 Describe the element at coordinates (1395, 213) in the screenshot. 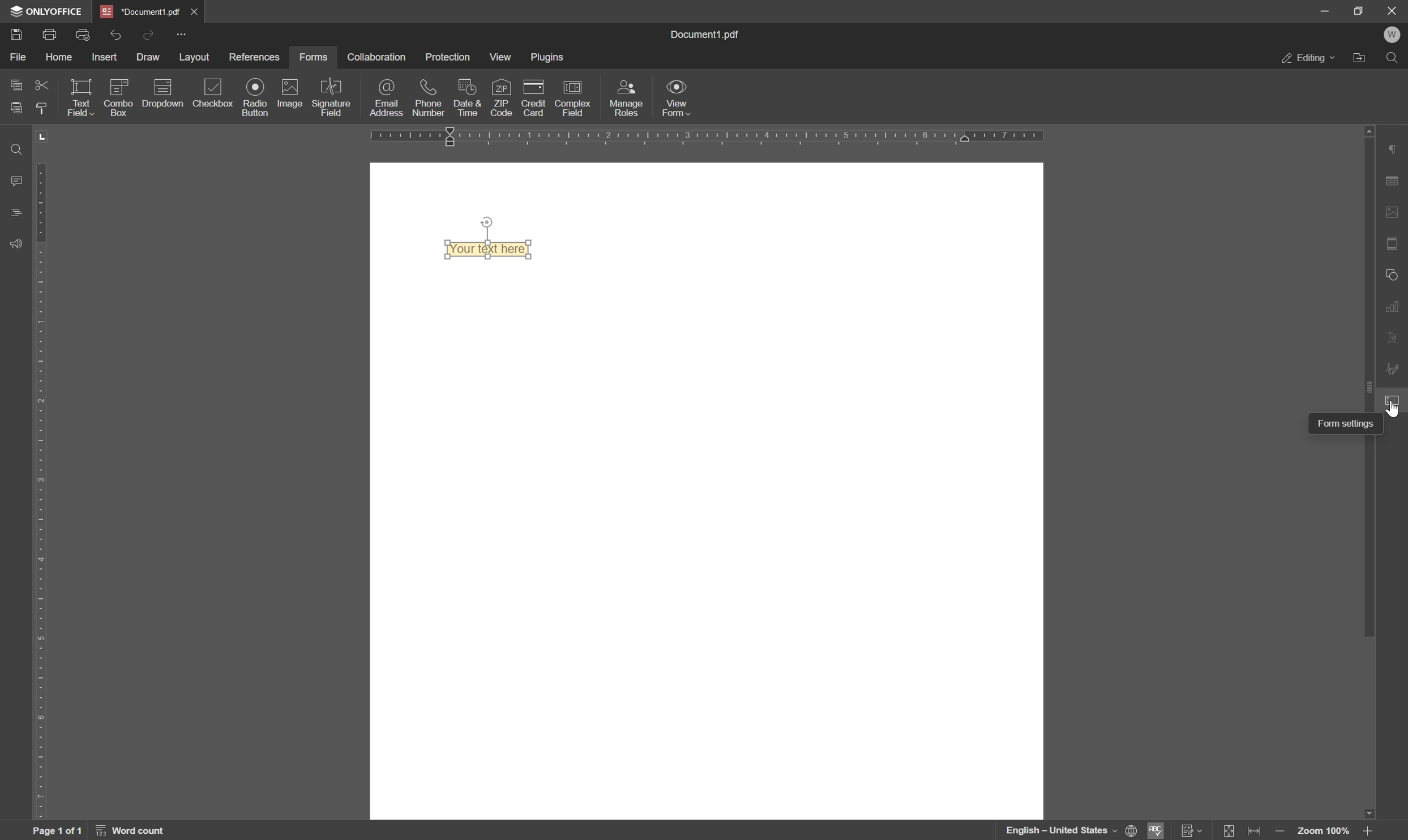

I see `image settings` at that location.